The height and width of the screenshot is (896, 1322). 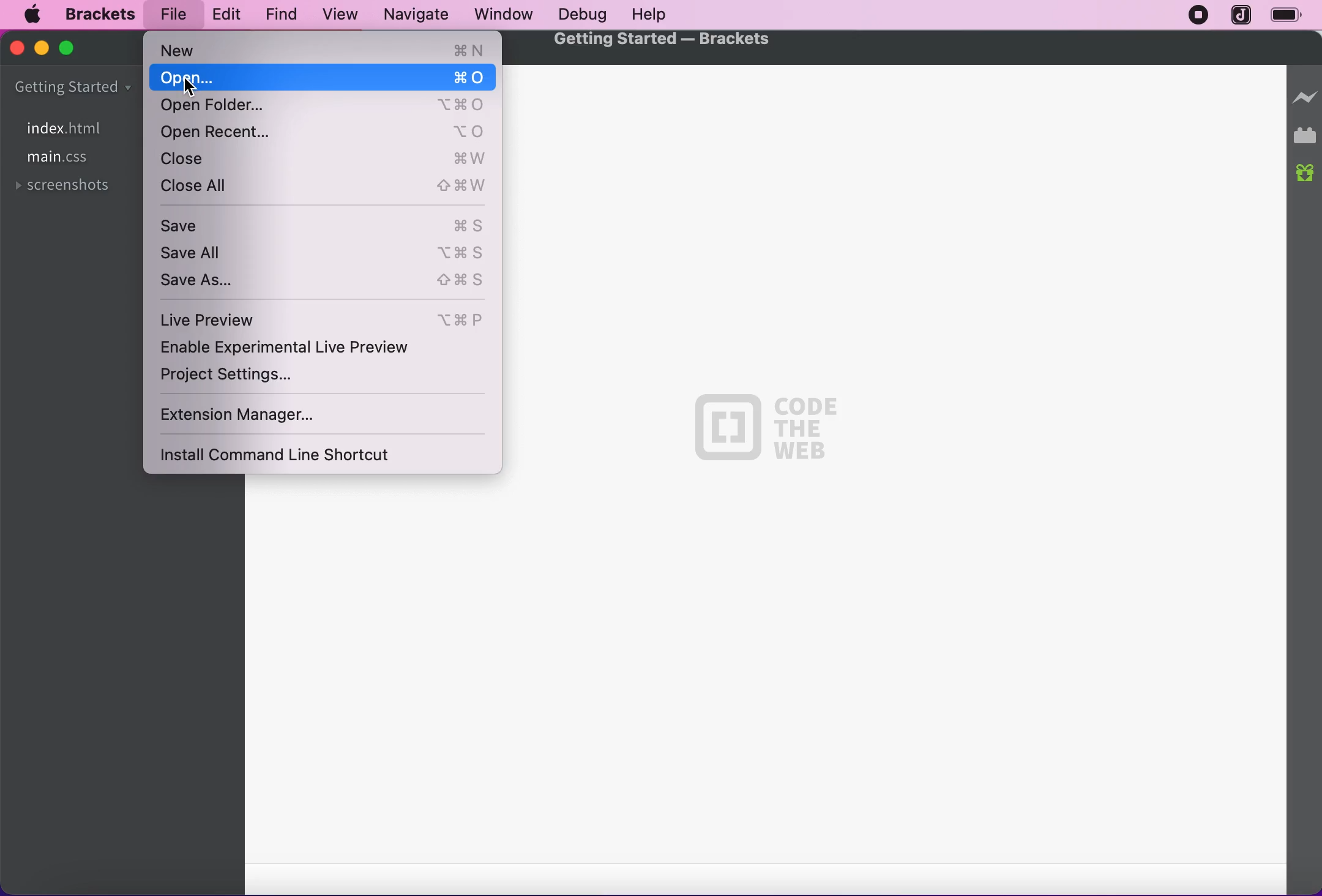 What do you see at coordinates (31, 16) in the screenshot?
I see `mac logo` at bounding box center [31, 16].